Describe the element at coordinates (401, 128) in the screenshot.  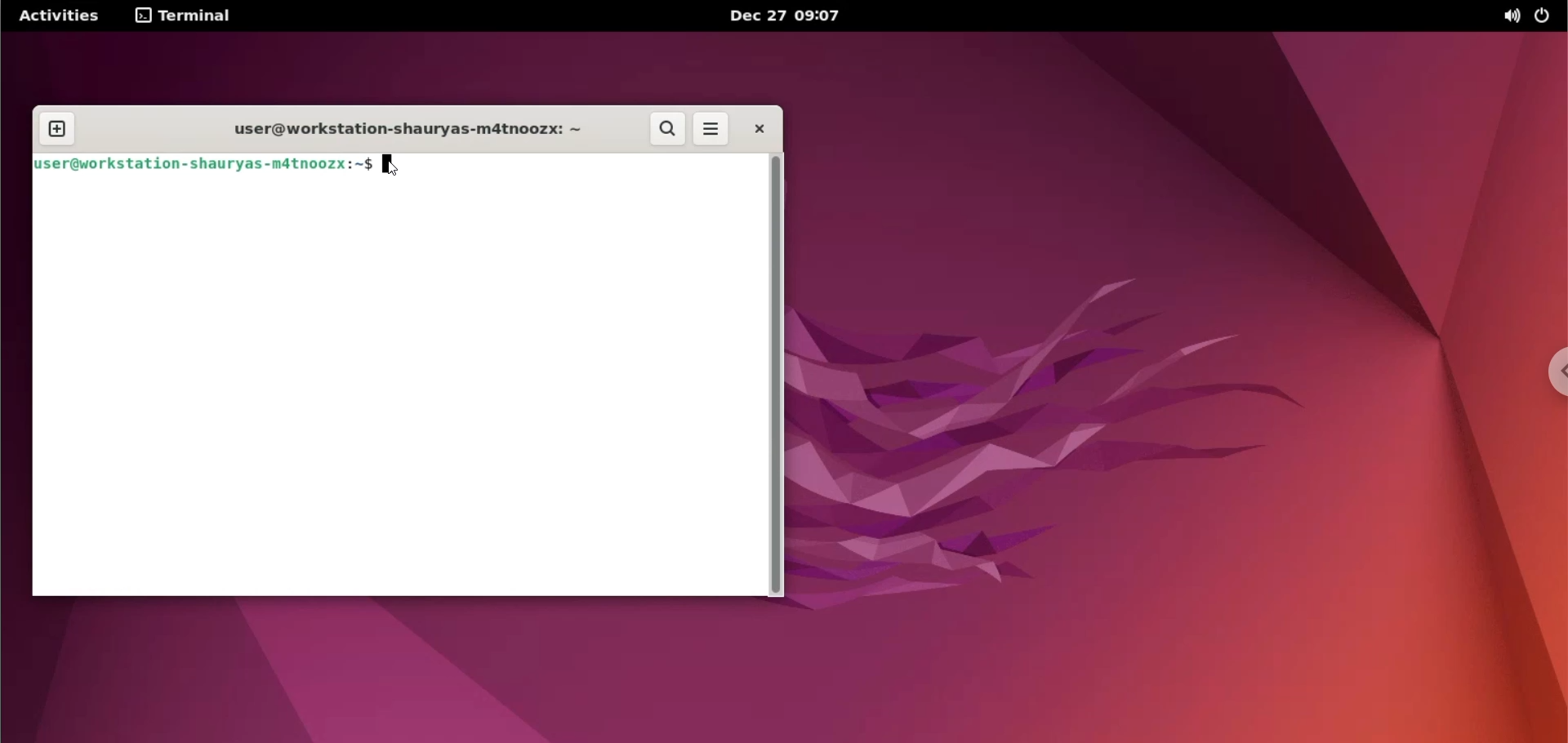
I see `user@workstation-shauryas-m4tnoozx:~` at that location.